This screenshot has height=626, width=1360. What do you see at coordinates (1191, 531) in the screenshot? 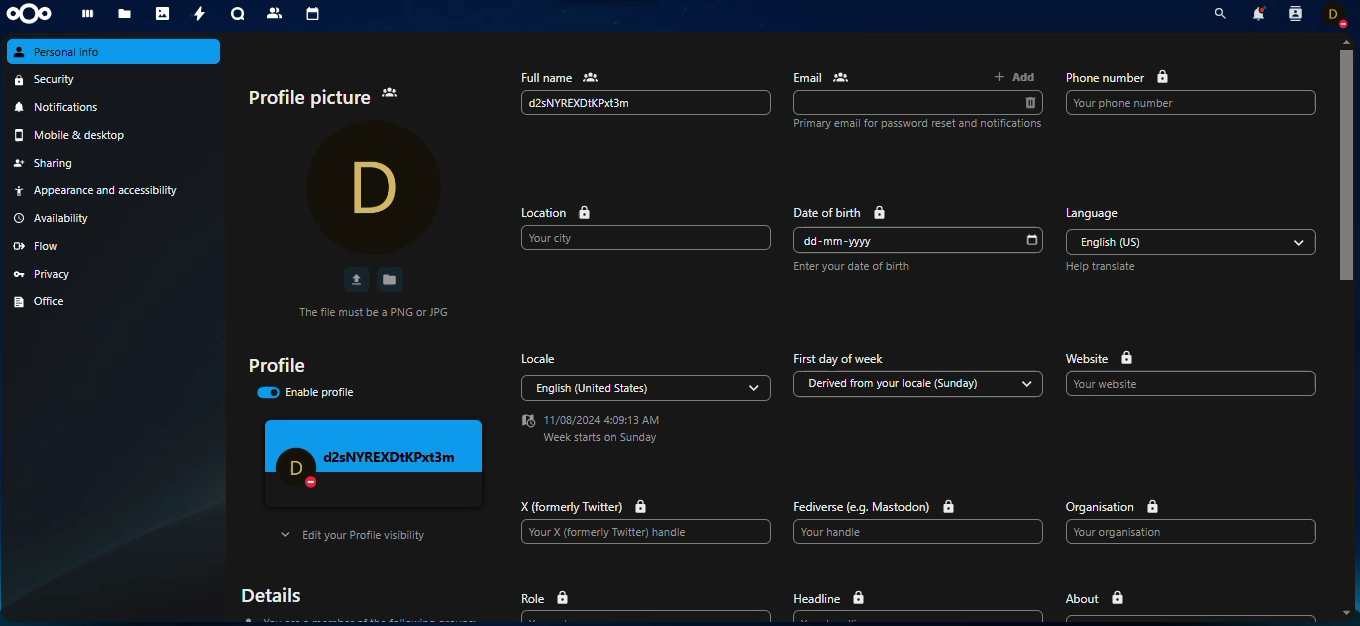
I see `Your organisation` at bounding box center [1191, 531].